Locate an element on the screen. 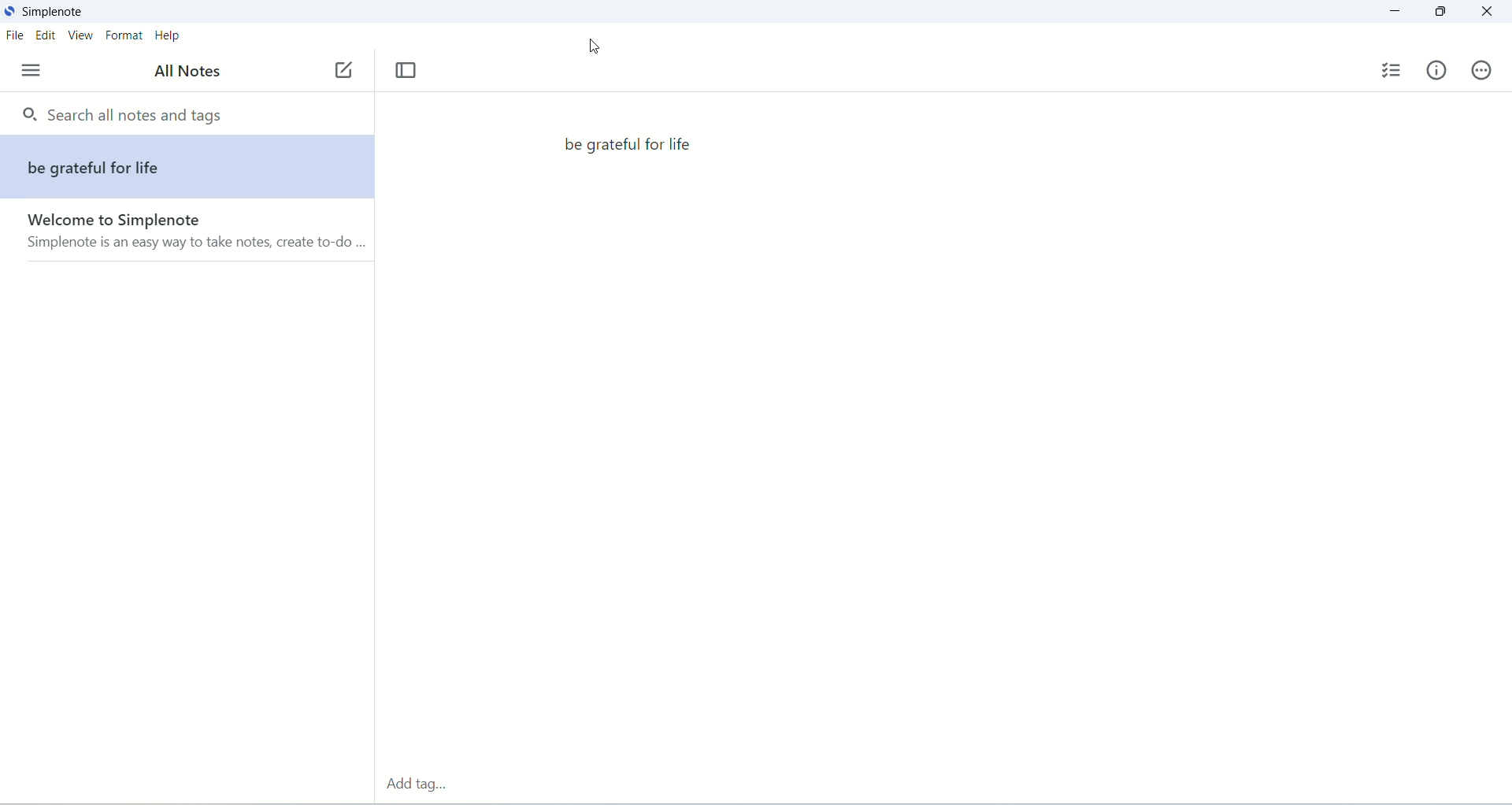  info is located at coordinates (1435, 72).